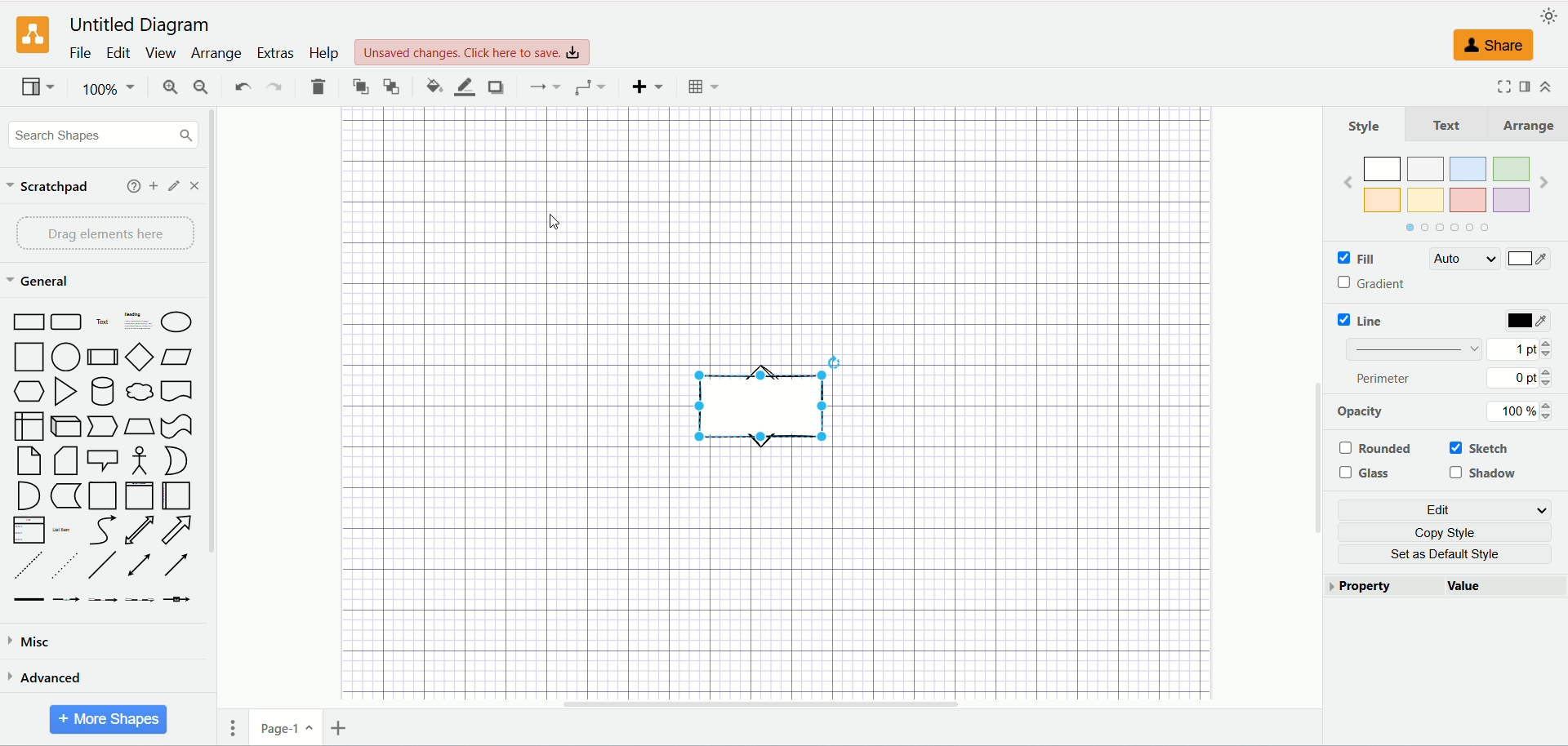 This screenshot has width=1568, height=746. Describe the element at coordinates (125, 186) in the screenshot. I see `help` at that location.